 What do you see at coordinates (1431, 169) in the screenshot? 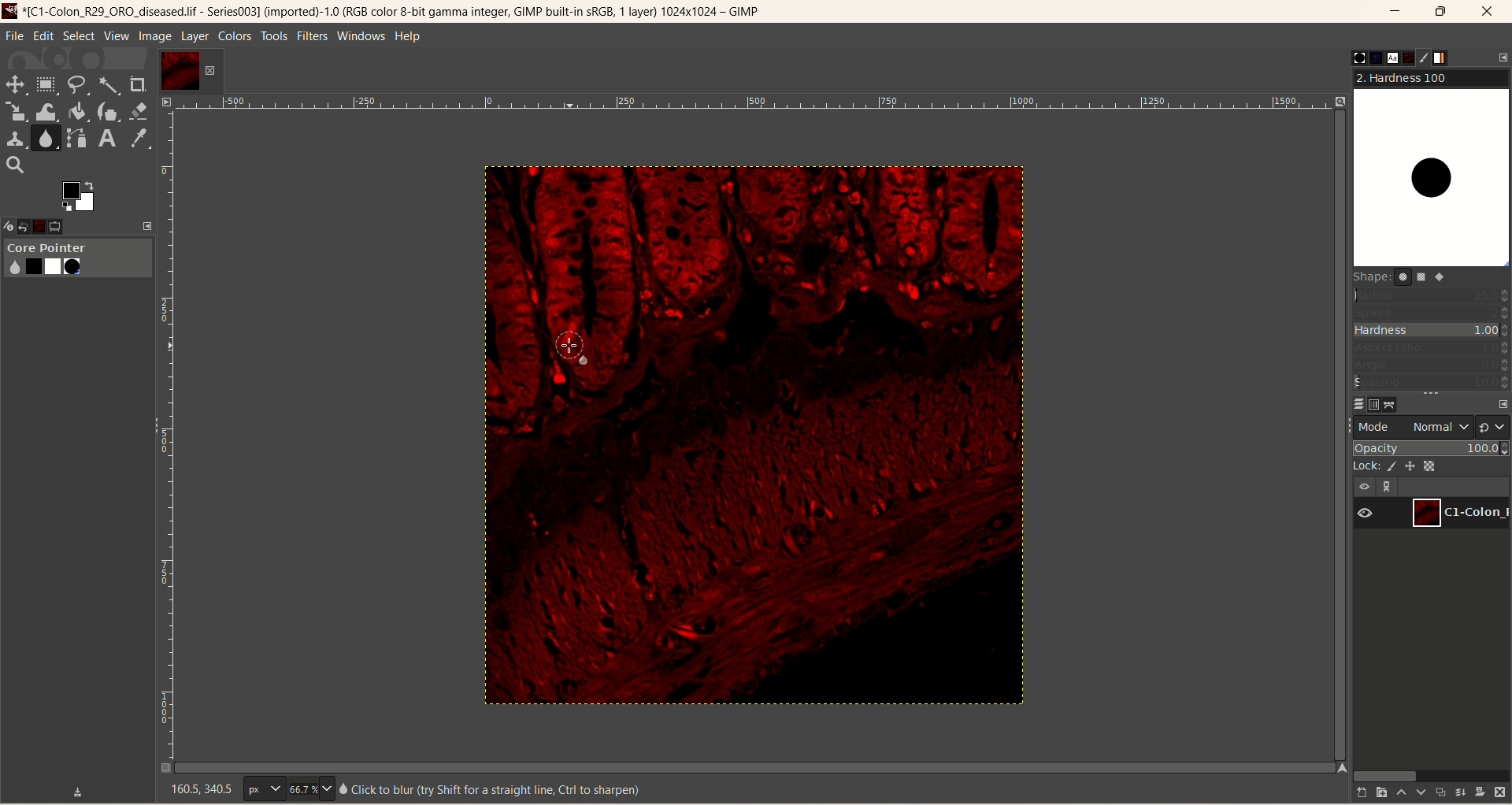
I see `hardness100` at bounding box center [1431, 169].